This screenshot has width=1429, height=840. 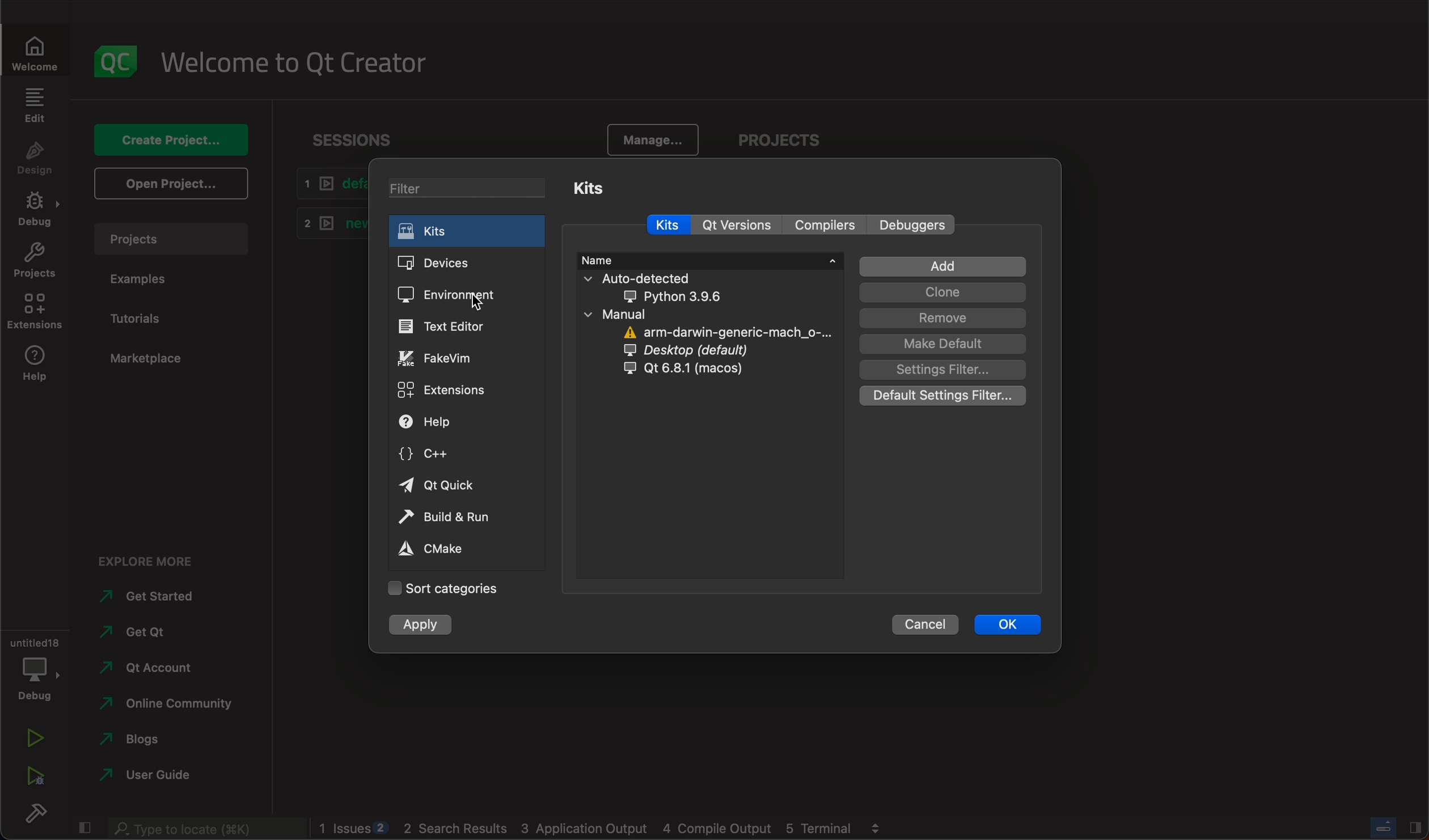 I want to click on categories, so click(x=442, y=588).